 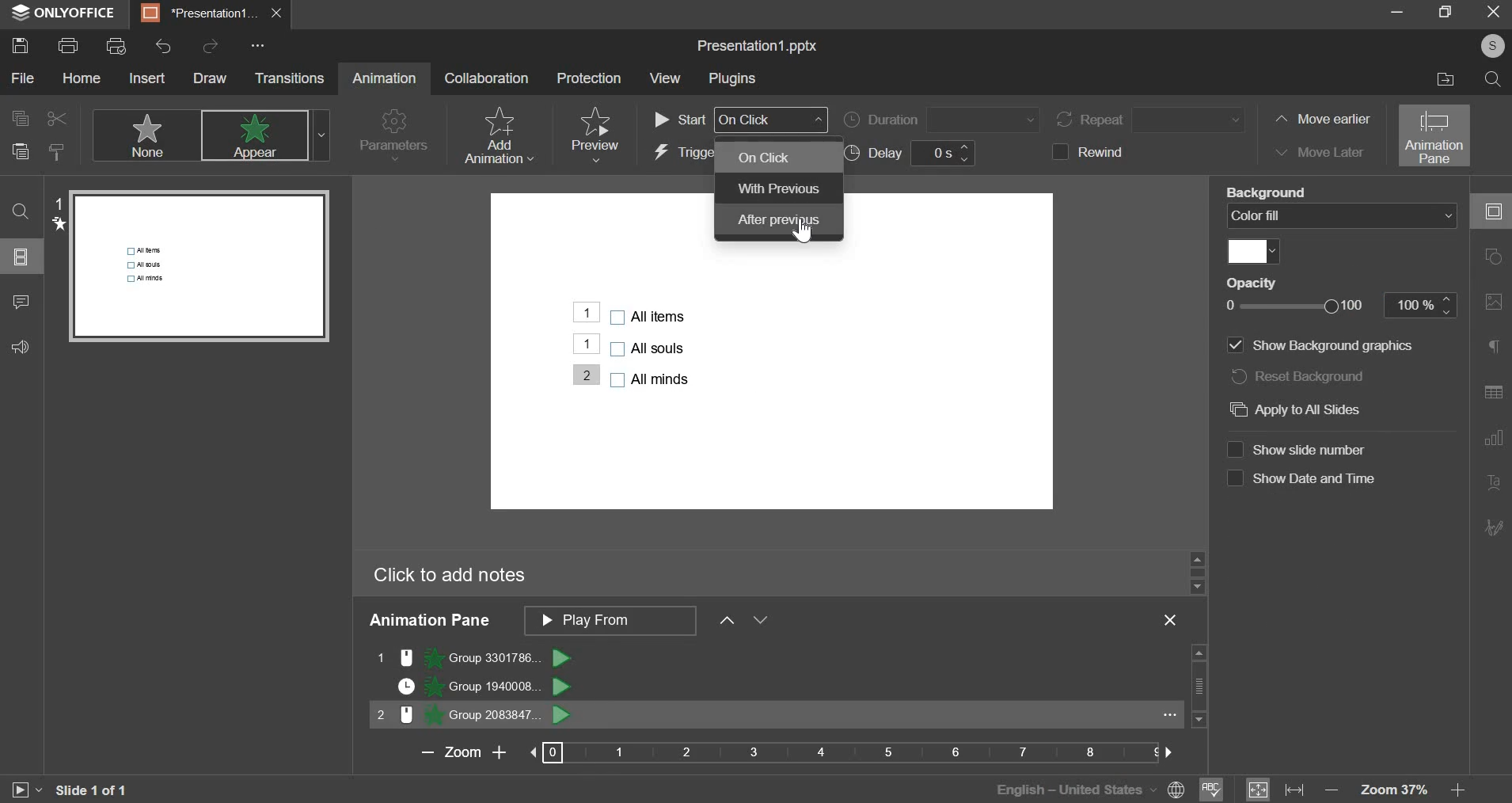 What do you see at coordinates (24, 78) in the screenshot?
I see `file` at bounding box center [24, 78].